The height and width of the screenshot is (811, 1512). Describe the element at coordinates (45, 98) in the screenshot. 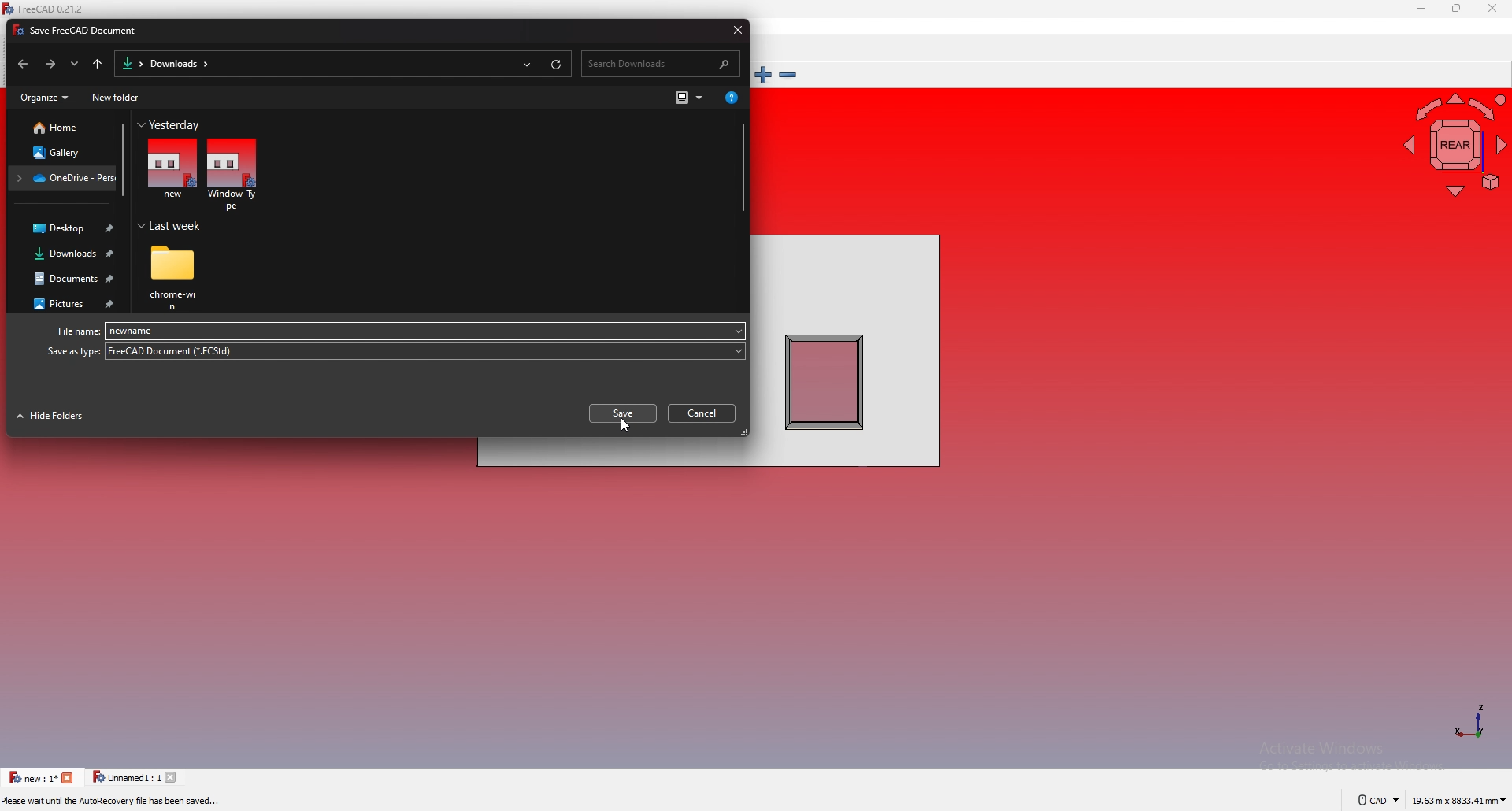

I see `organize` at that location.